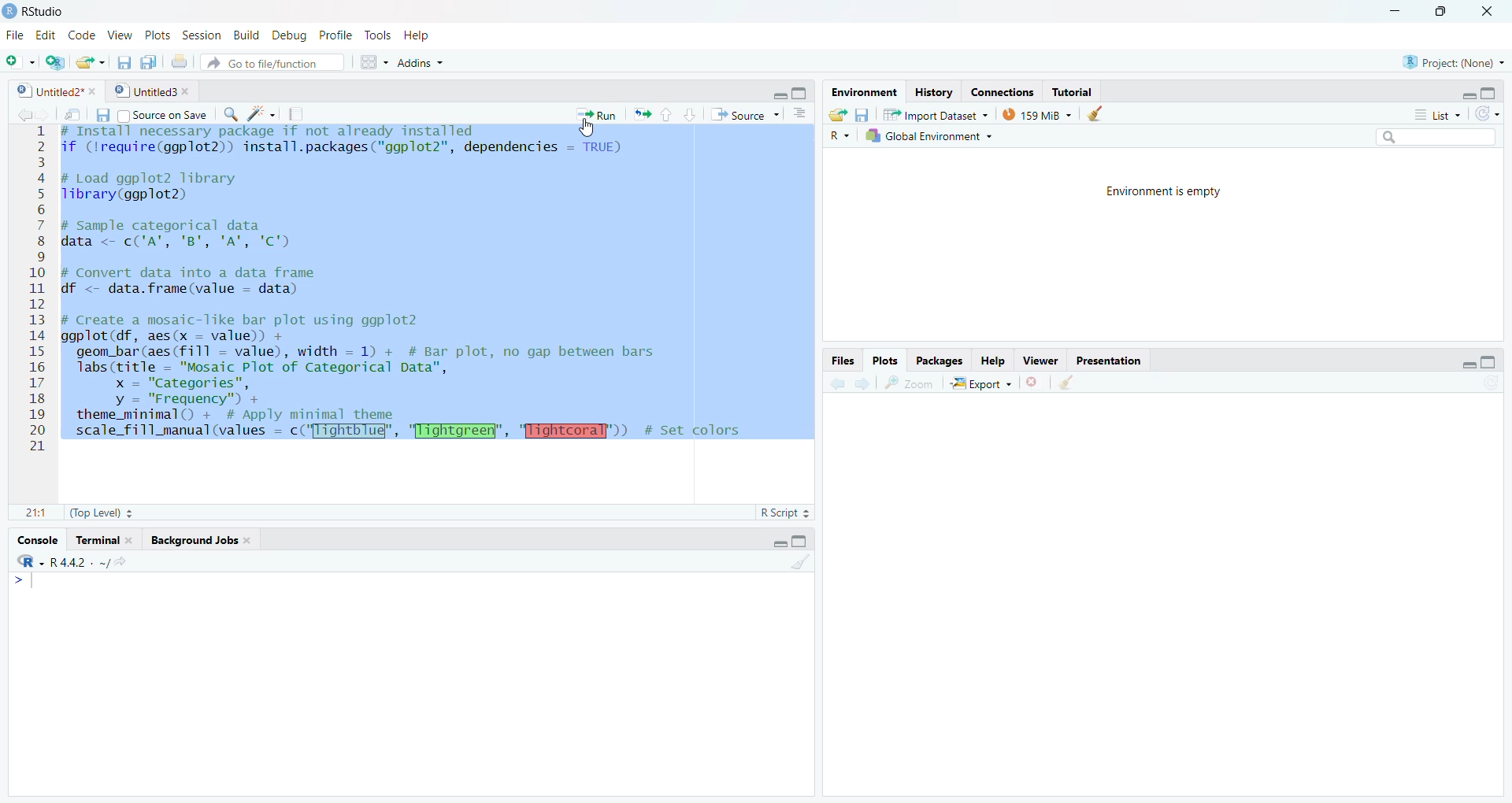 This screenshot has width=1512, height=803. What do you see at coordinates (802, 113) in the screenshot?
I see `Show document Outline` at bounding box center [802, 113].